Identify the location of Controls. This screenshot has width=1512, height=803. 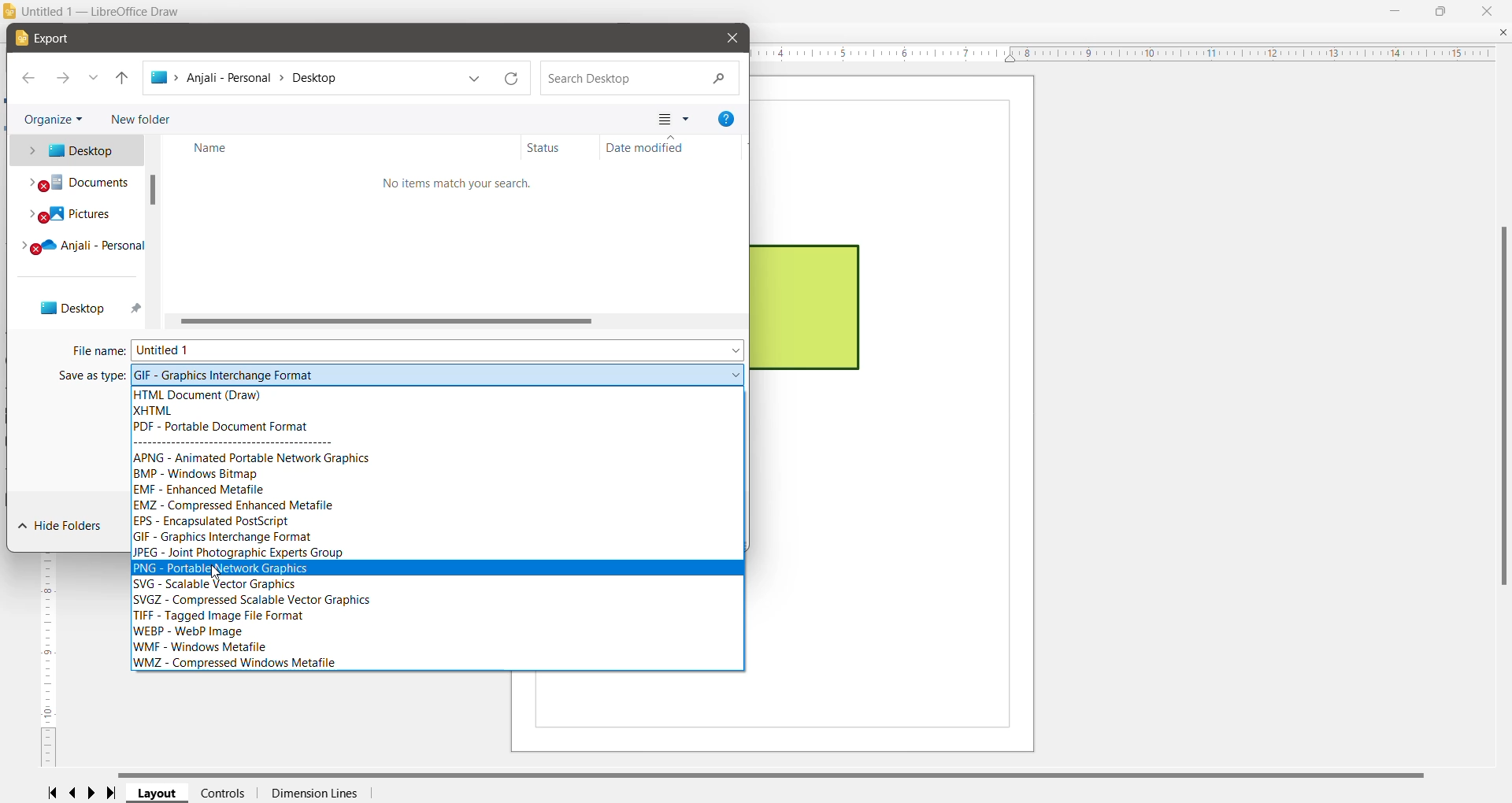
(223, 793).